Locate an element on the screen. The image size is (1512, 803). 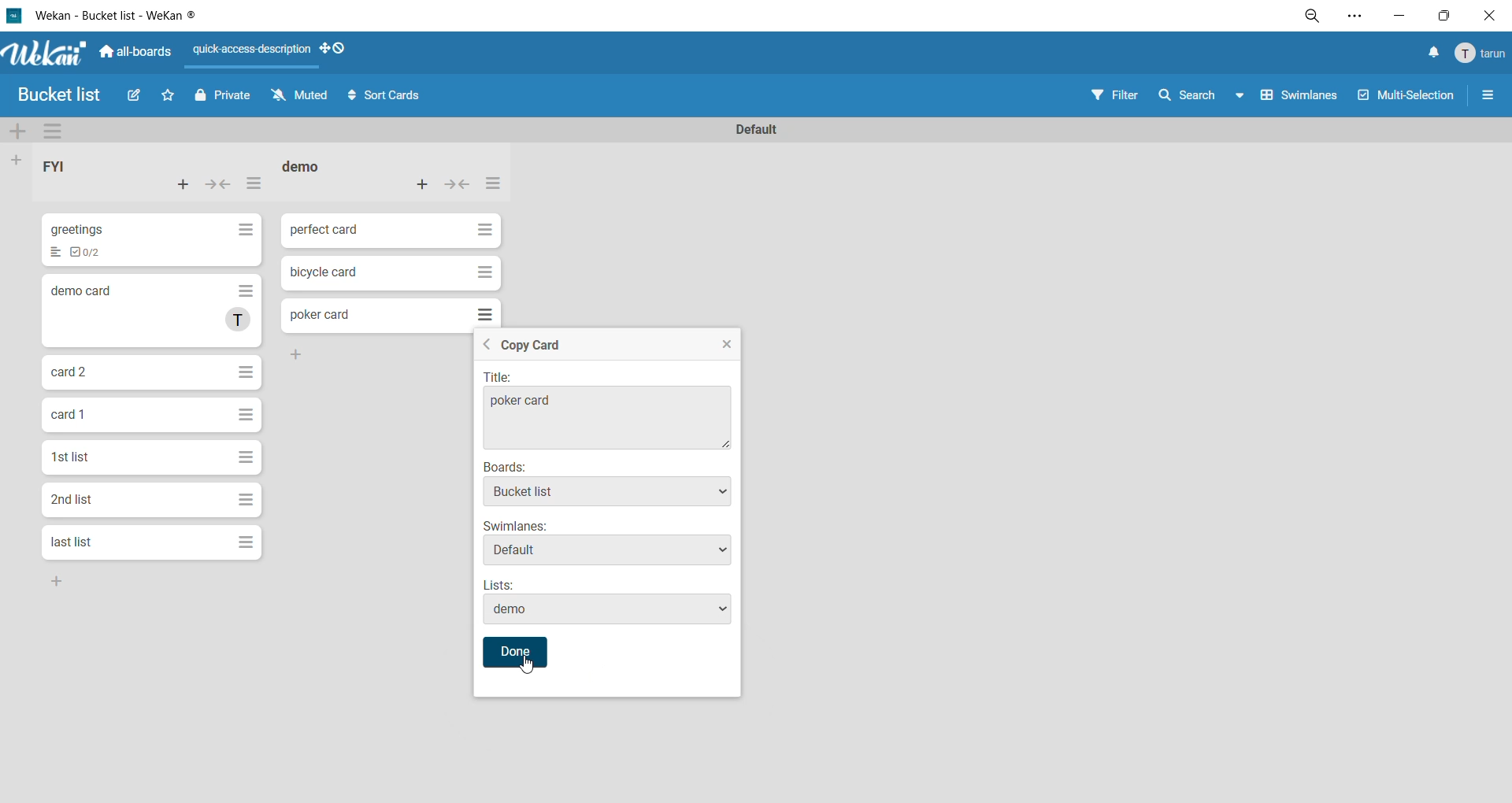
card 1 is located at coordinates (66, 413).